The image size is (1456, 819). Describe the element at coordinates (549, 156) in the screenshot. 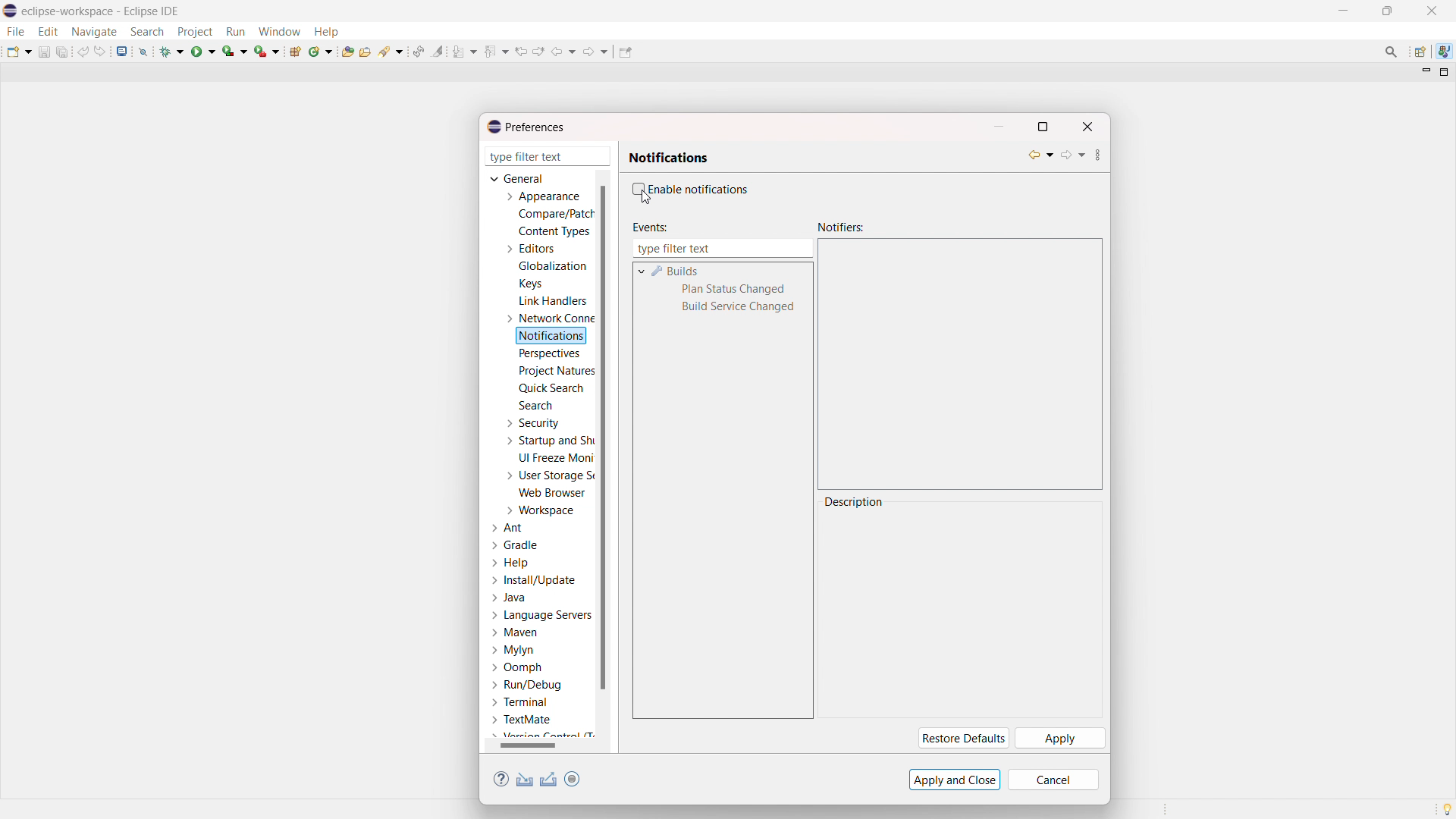

I see `type filter text` at that location.